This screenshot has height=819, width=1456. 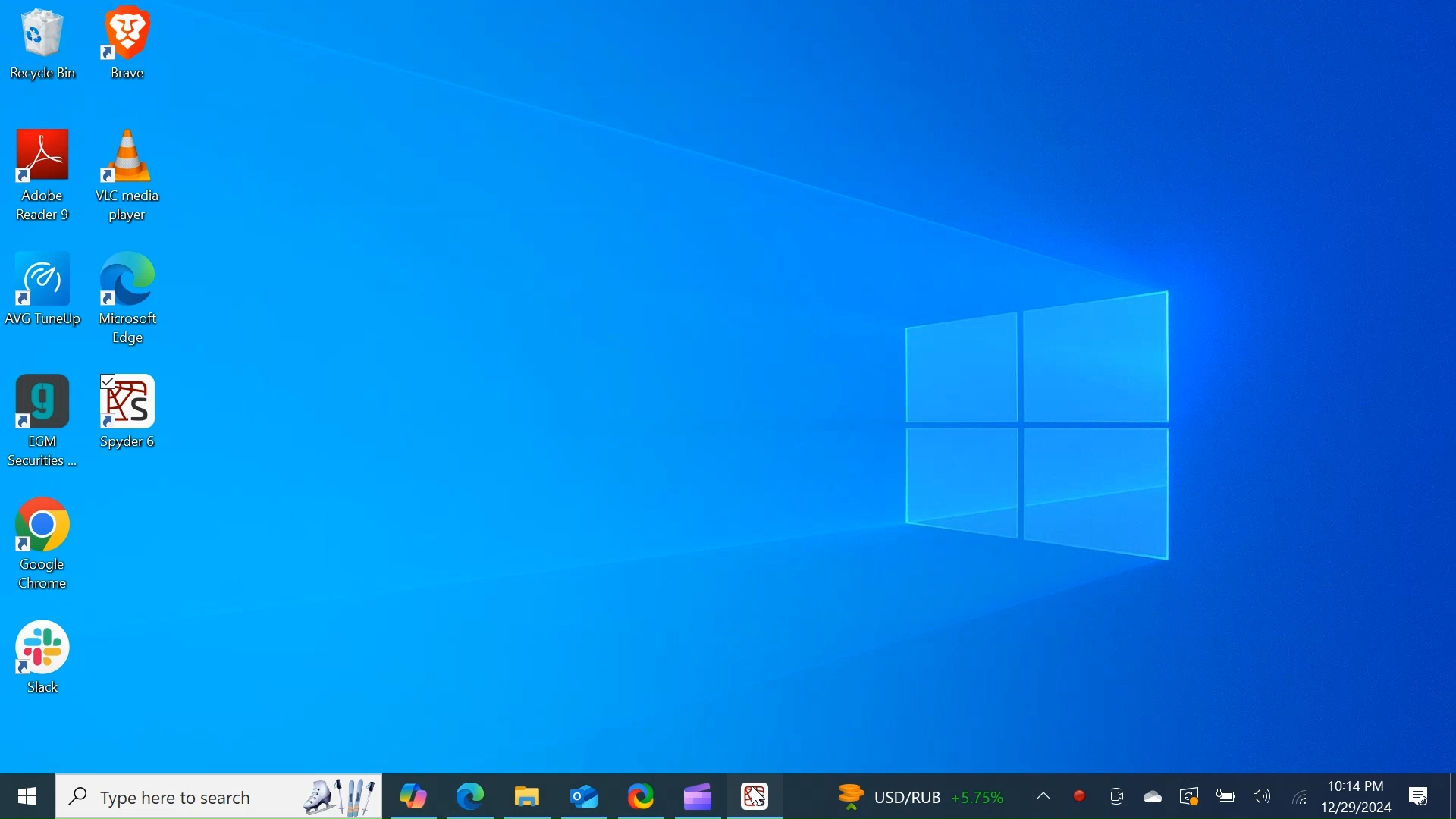 I want to click on OneDrive, so click(x=1150, y=794).